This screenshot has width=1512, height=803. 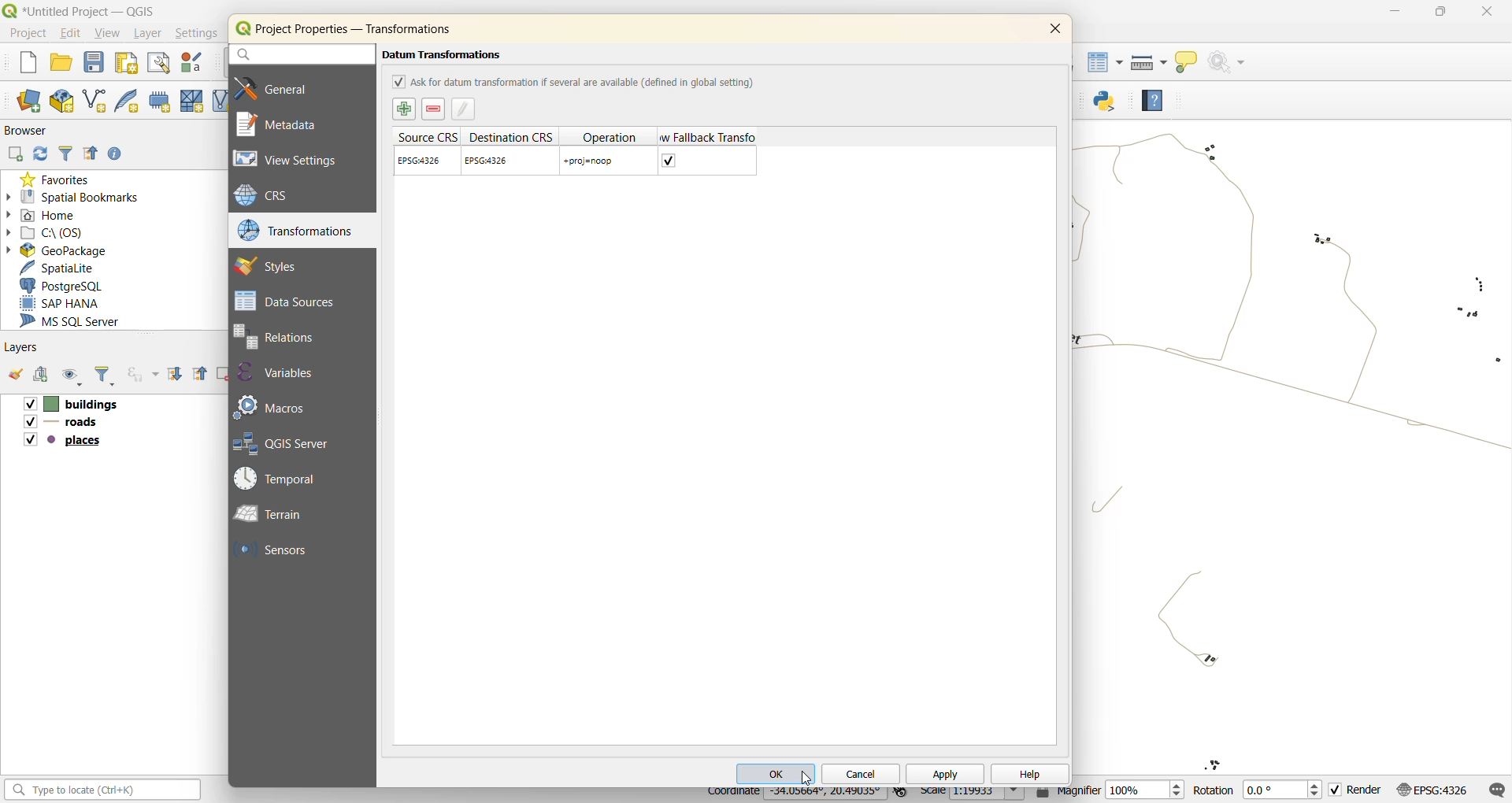 I want to click on crs, so click(x=276, y=197).